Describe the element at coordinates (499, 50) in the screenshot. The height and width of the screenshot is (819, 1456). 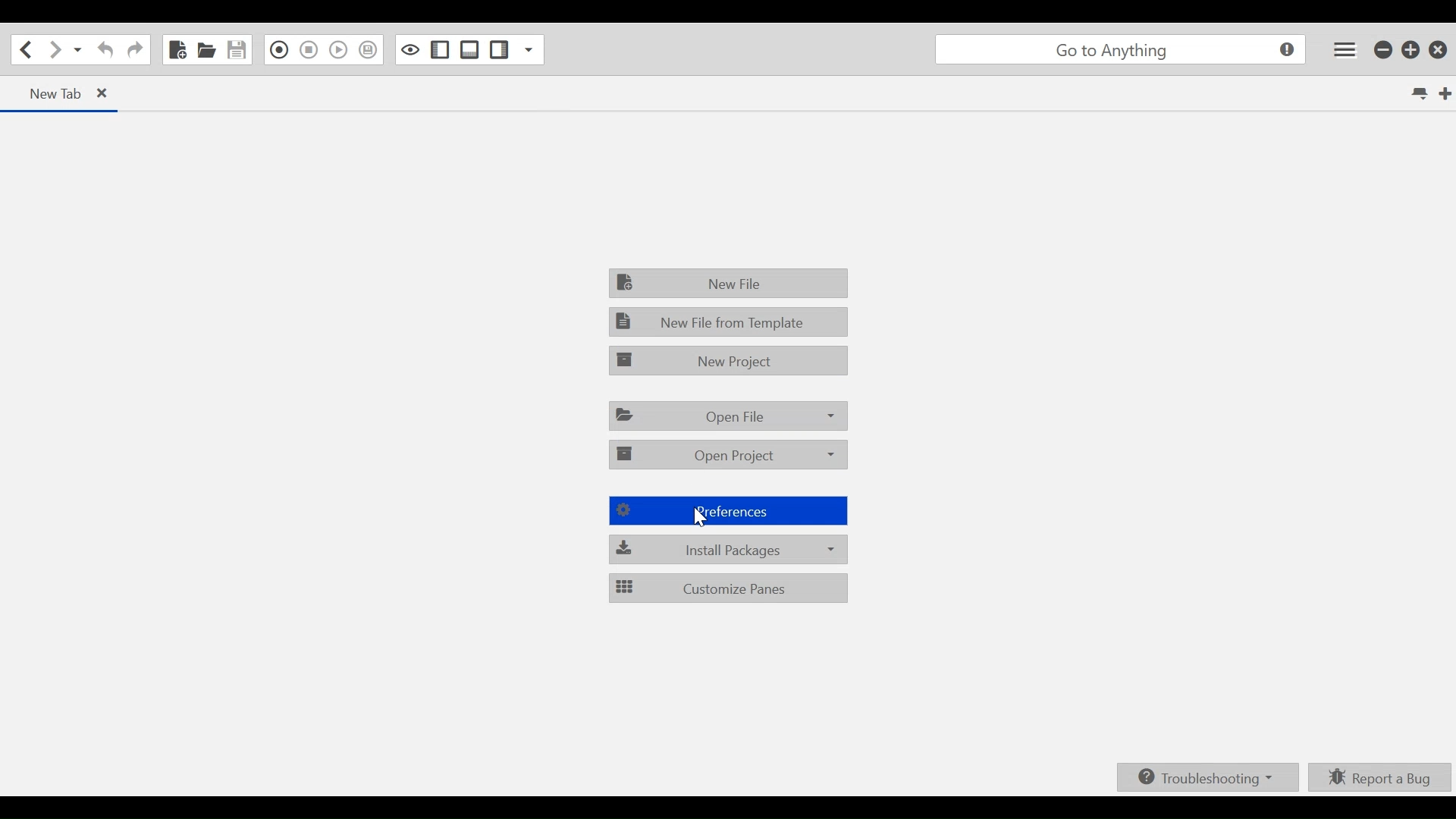
I see `Show/Hide Right Pane` at that location.